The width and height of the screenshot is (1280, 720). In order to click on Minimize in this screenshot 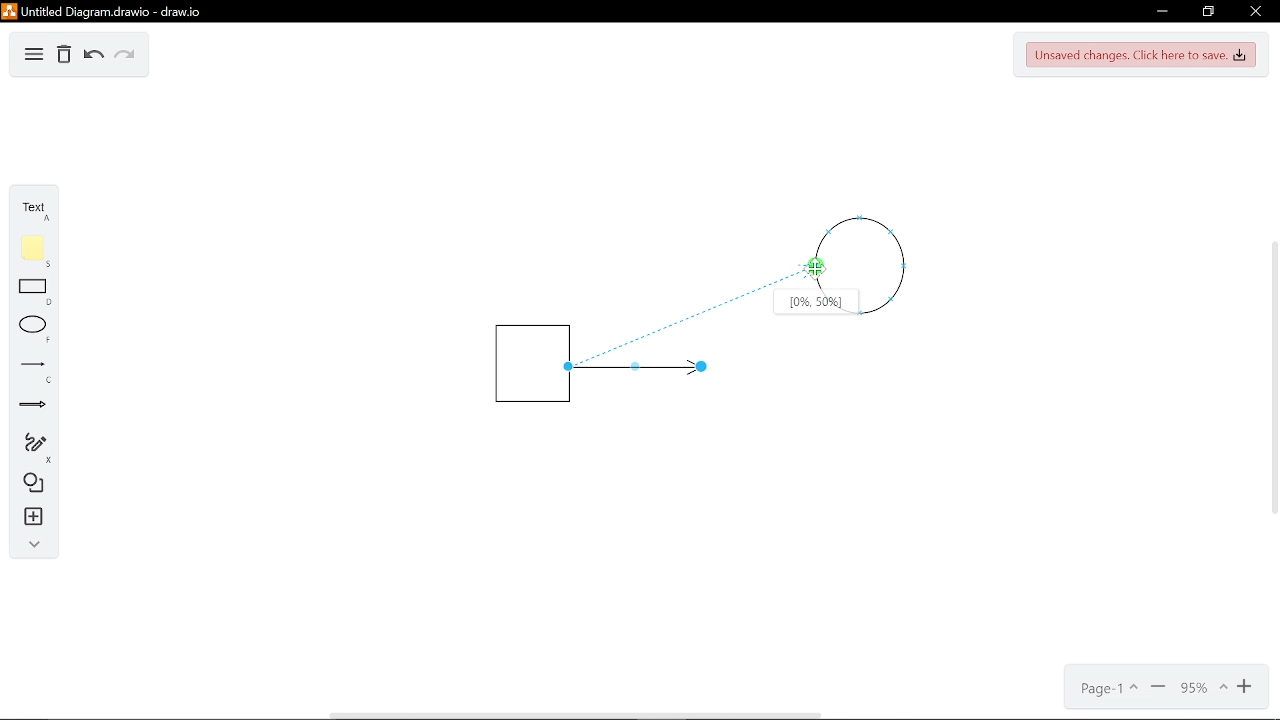, I will do `click(1162, 12)`.